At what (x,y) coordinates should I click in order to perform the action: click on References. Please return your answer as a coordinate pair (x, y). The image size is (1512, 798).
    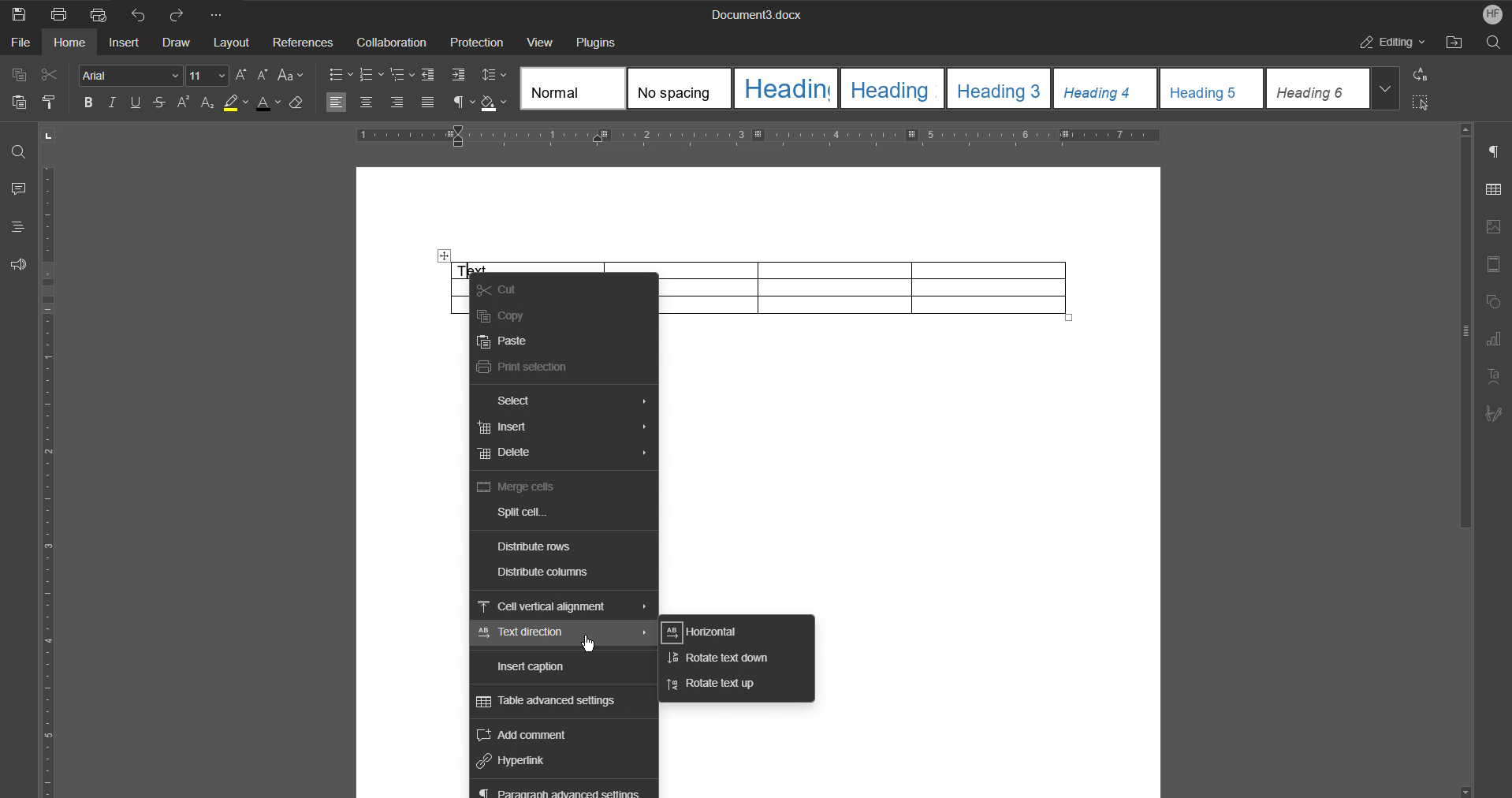
    Looking at the image, I should click on (303, 42).